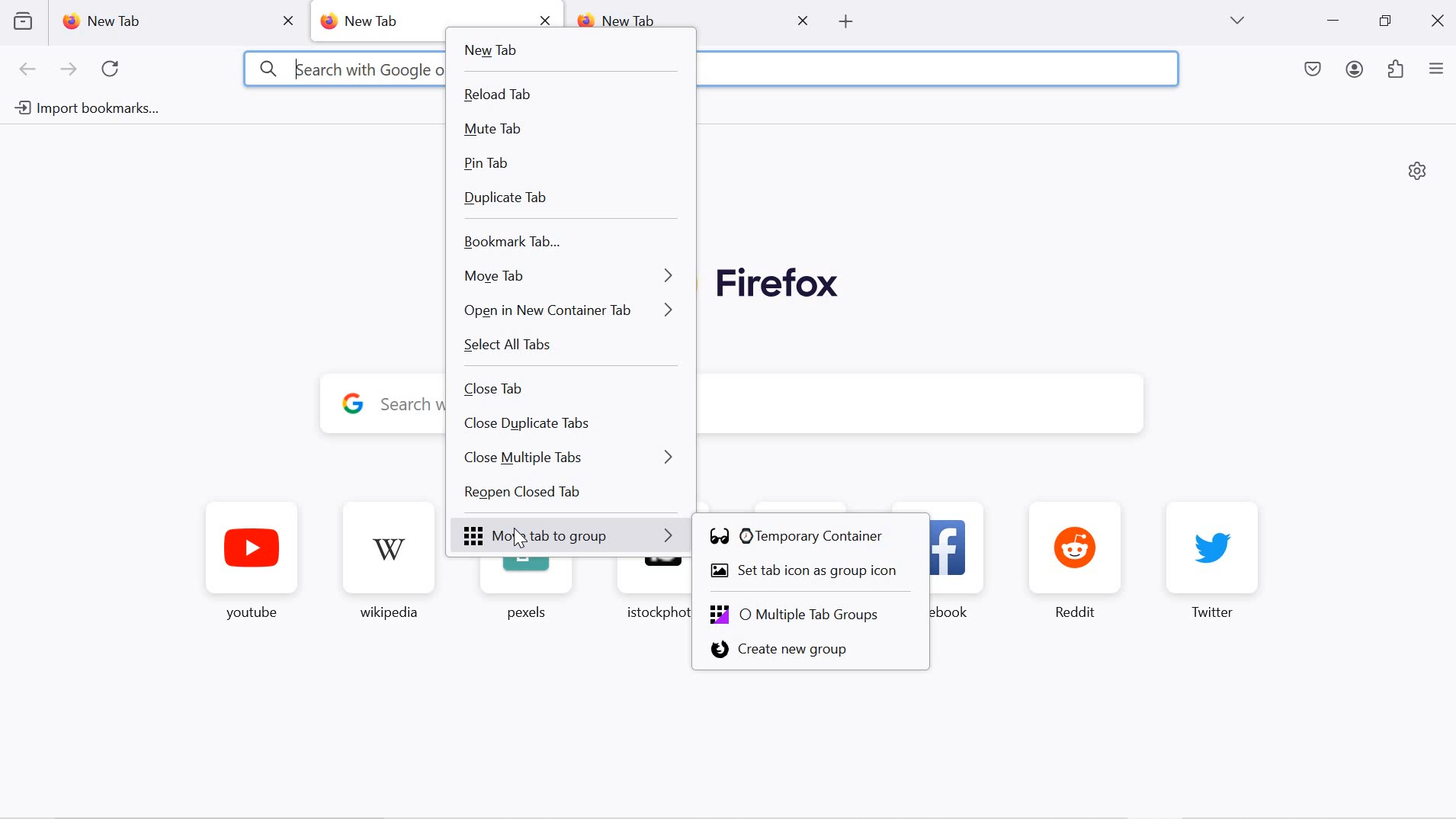 The height and width of the screenshot is (819, 1456). Describe the element at coordinates (1333, 22) in the screenshot. I see `minimize` at that location.